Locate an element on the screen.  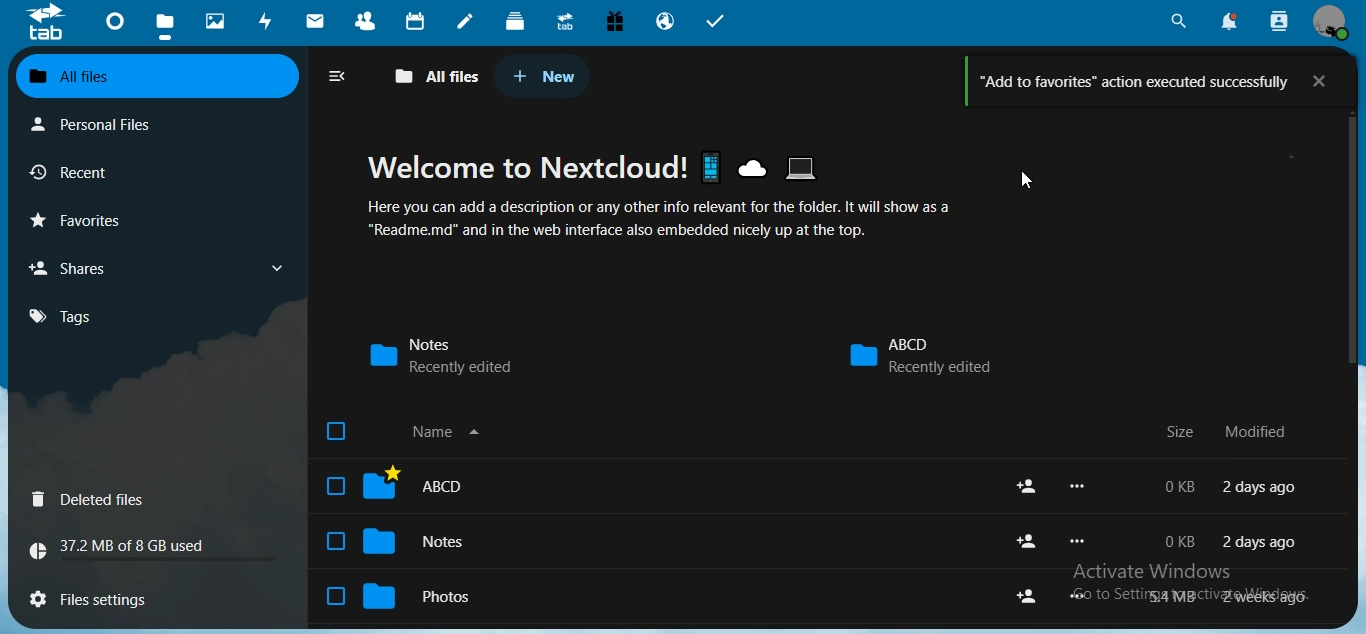
text is located at coordinates (668, 203).